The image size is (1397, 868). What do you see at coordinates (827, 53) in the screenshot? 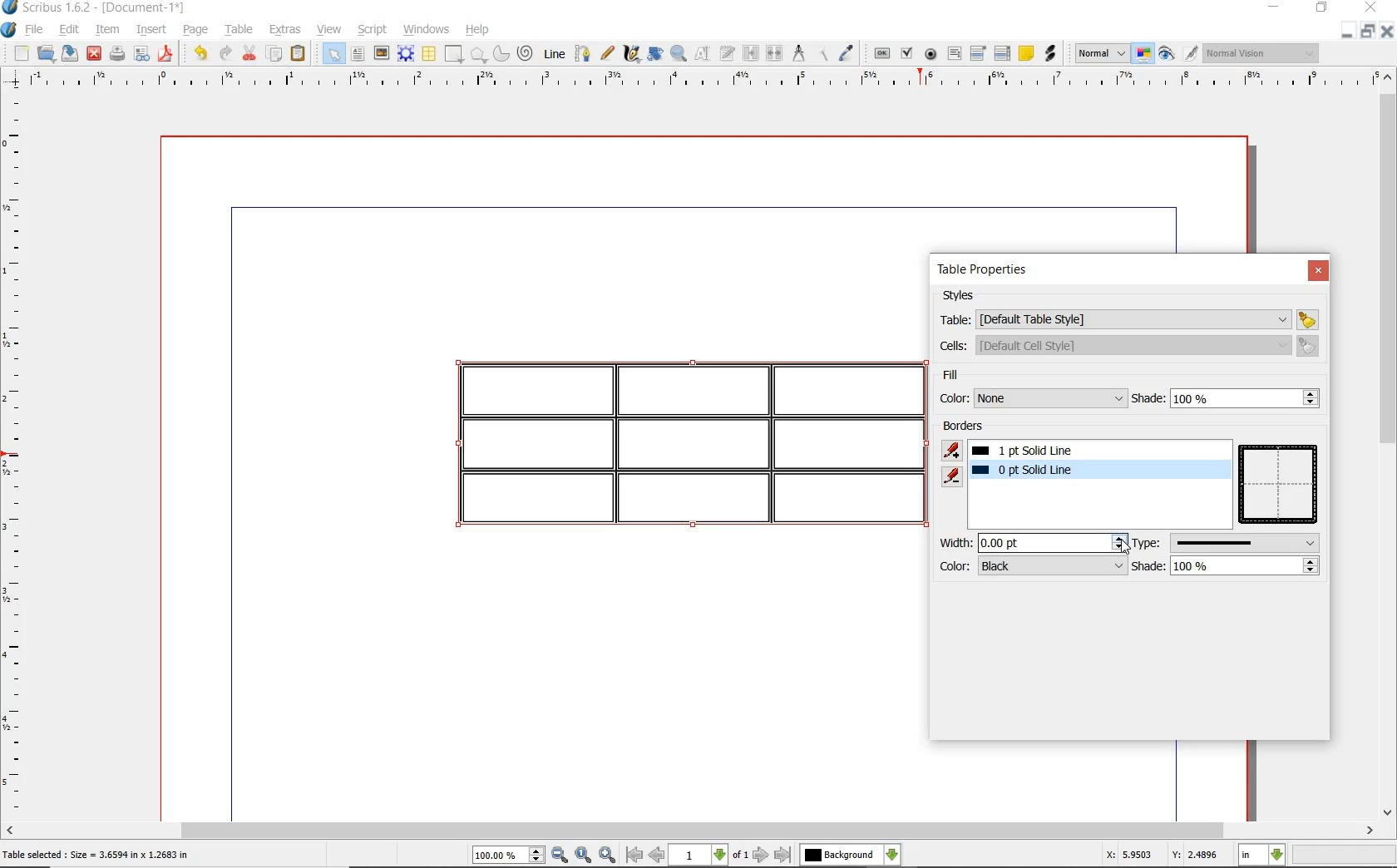
I see `copy item properties` at bounding box center [827, 53].